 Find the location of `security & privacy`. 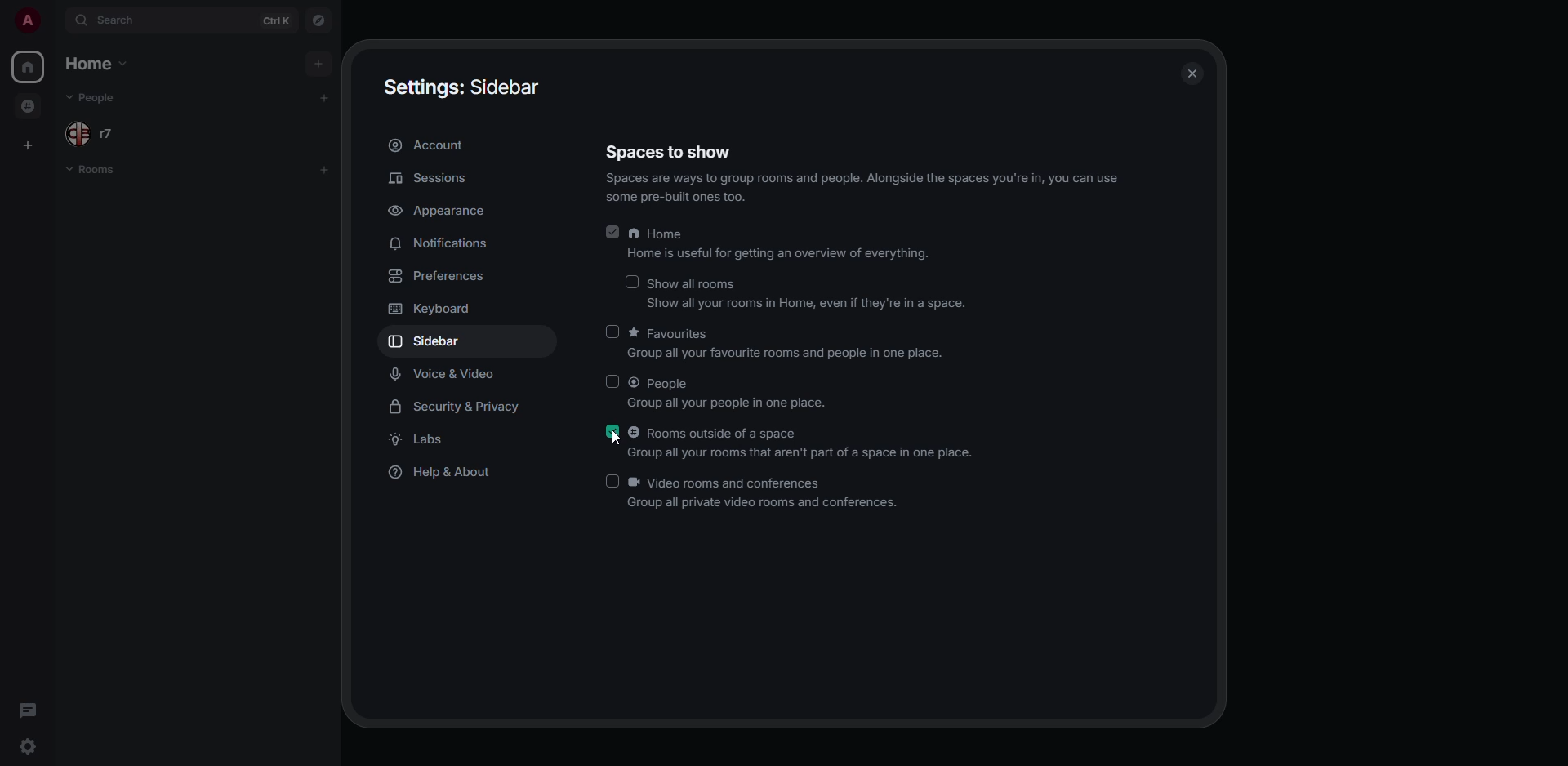

security & privacy is located at coordinates (461, 408).